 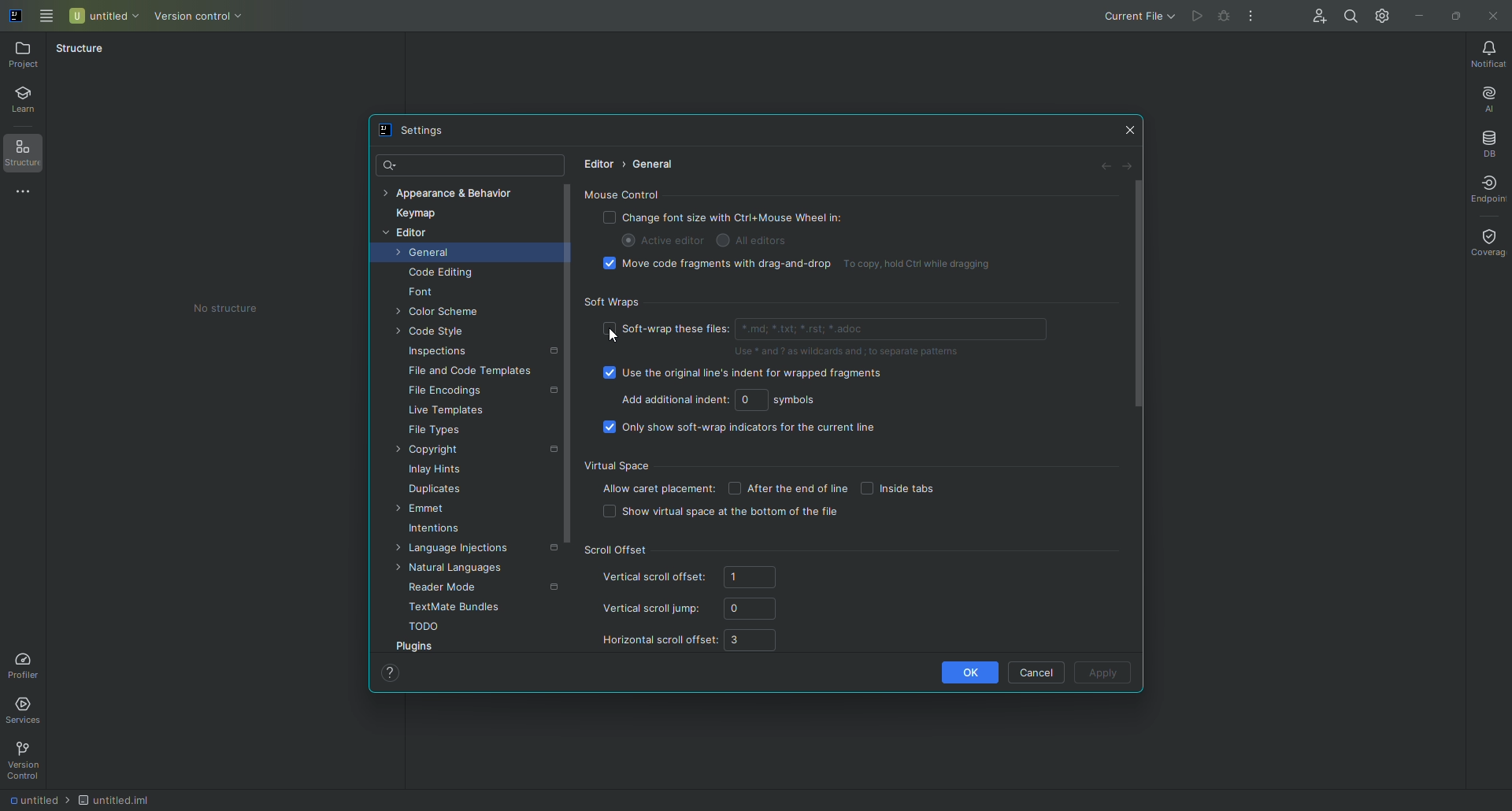 What do you see at coordinates (726, 217) in the screenshot?
I see `Change font size` at bounding box center [726, 217].